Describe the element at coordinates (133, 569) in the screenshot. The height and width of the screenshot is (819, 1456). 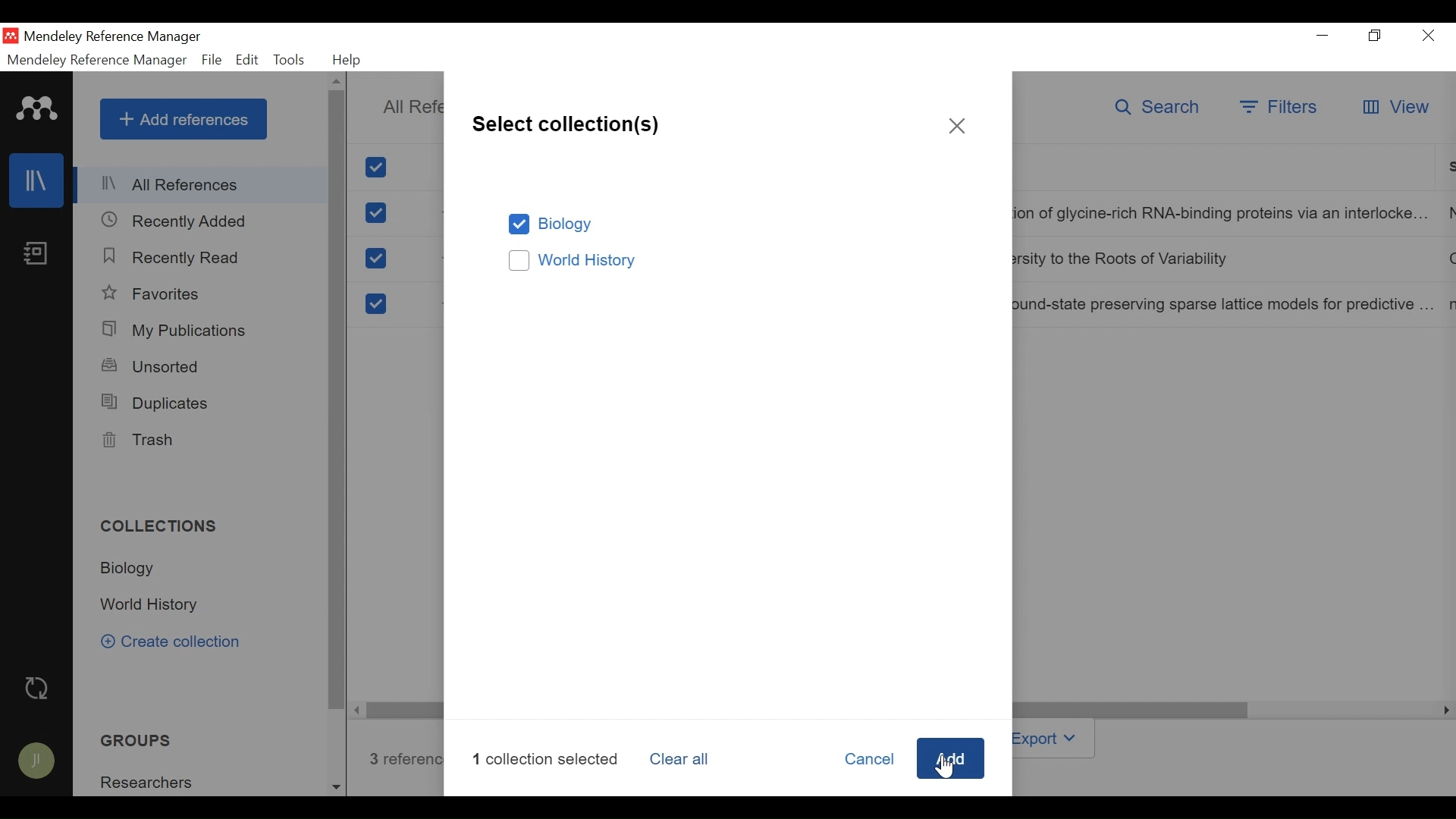
I see `Collection` at that location.